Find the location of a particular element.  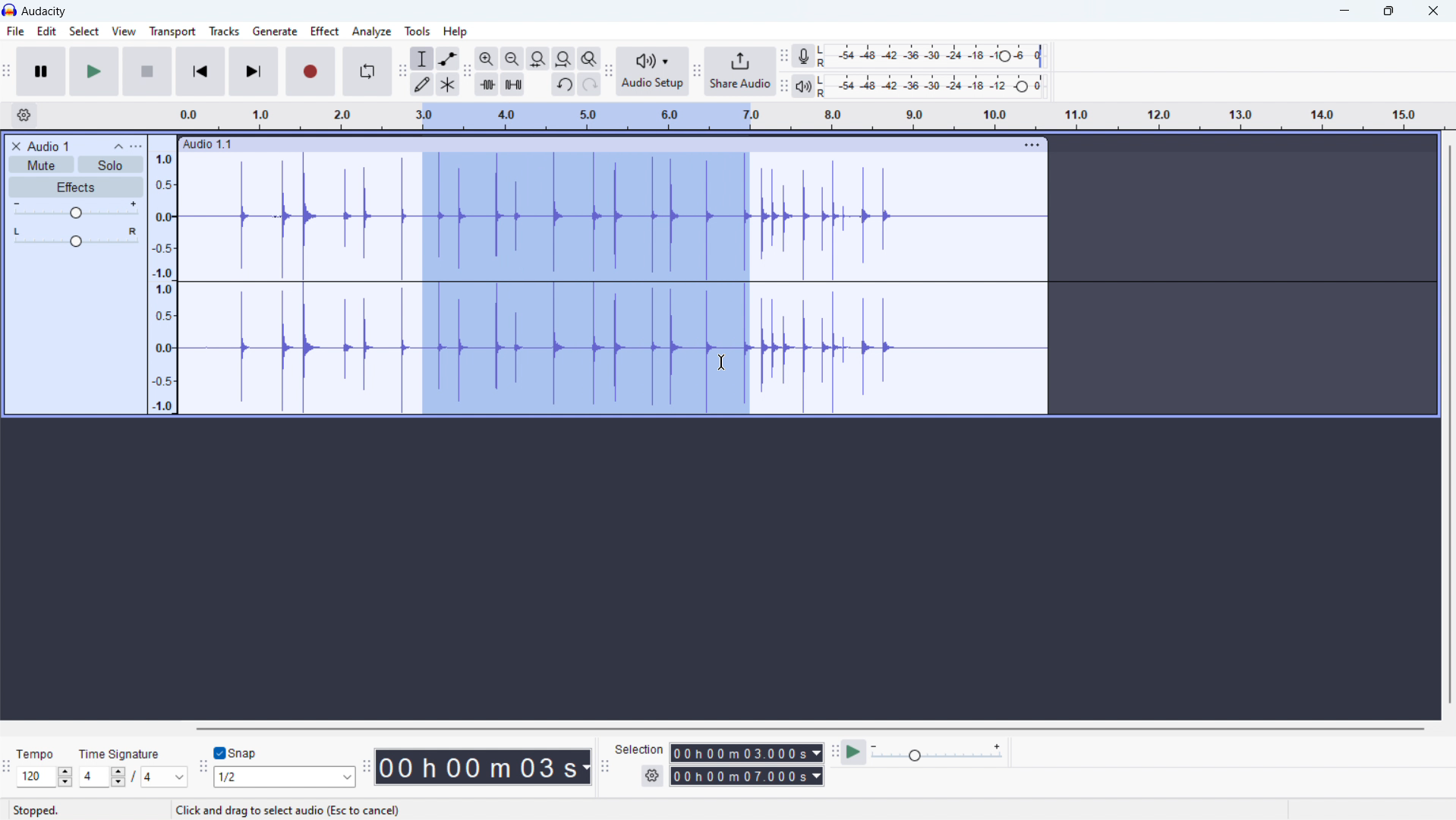

3.0-7.0 timeline (part of the track selected) is located at coordinates (588, 258).